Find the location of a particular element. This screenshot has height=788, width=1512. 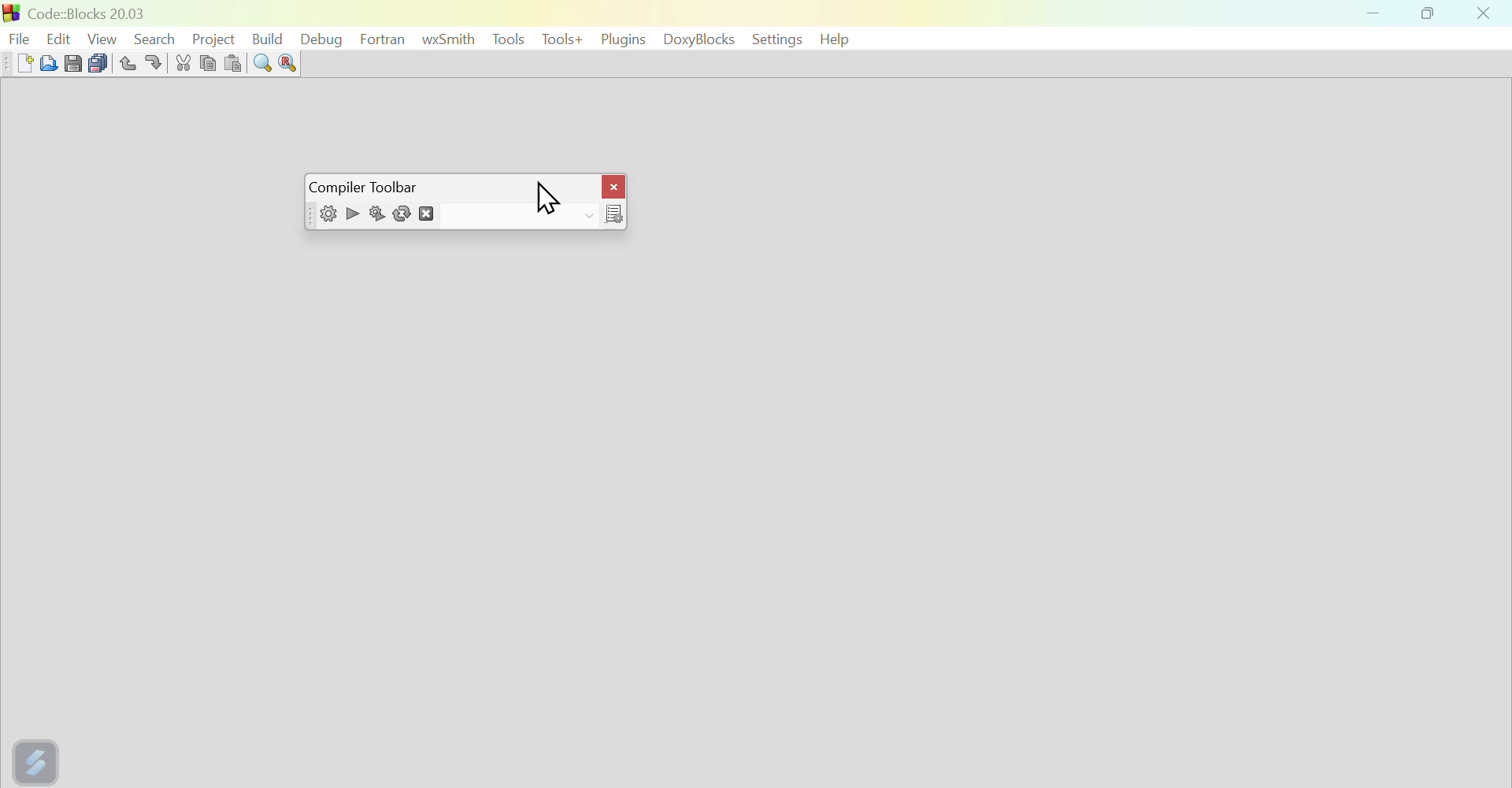

Redo is located at coordinates (159, 61).